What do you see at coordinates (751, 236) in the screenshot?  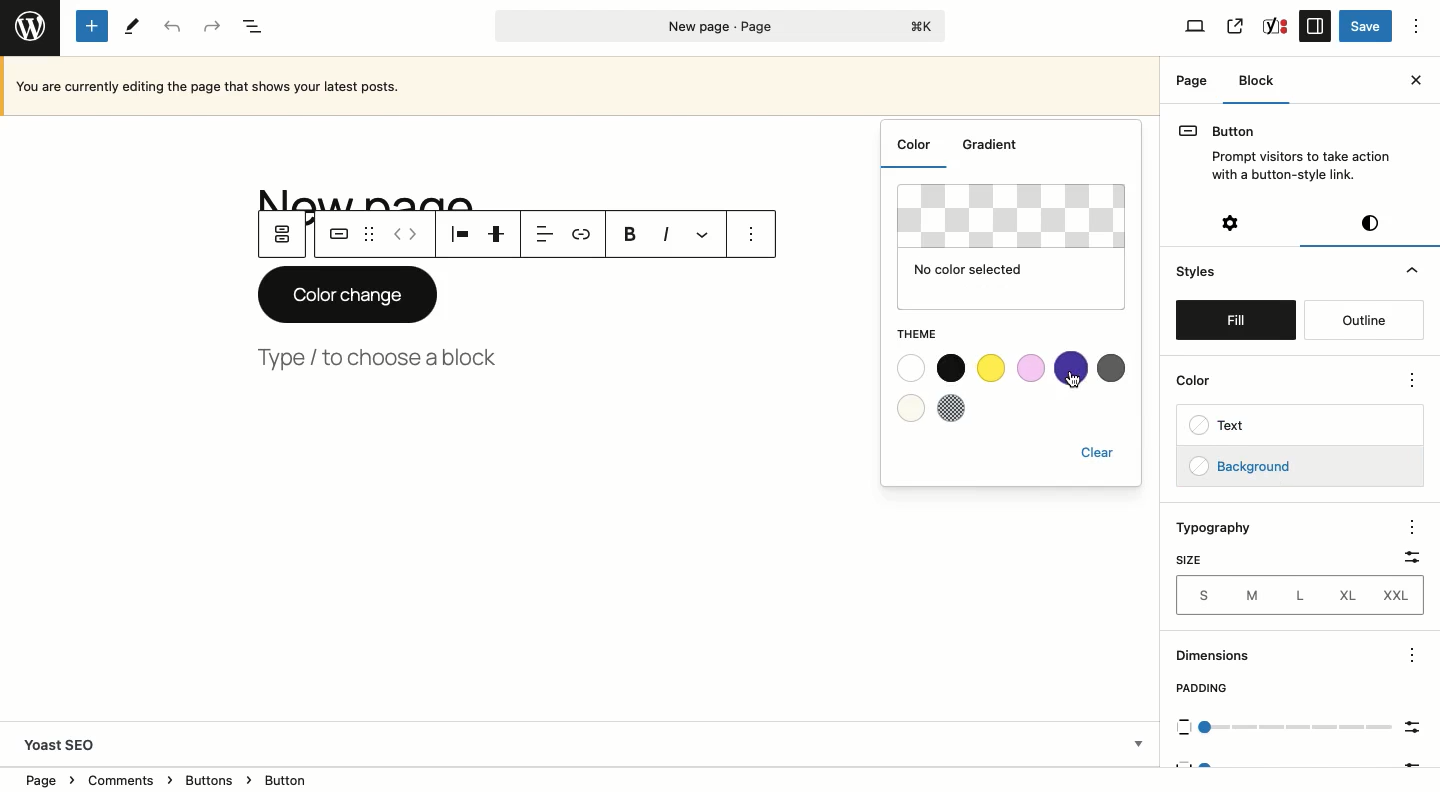 I see `Options` at bounding box center [751, 236].